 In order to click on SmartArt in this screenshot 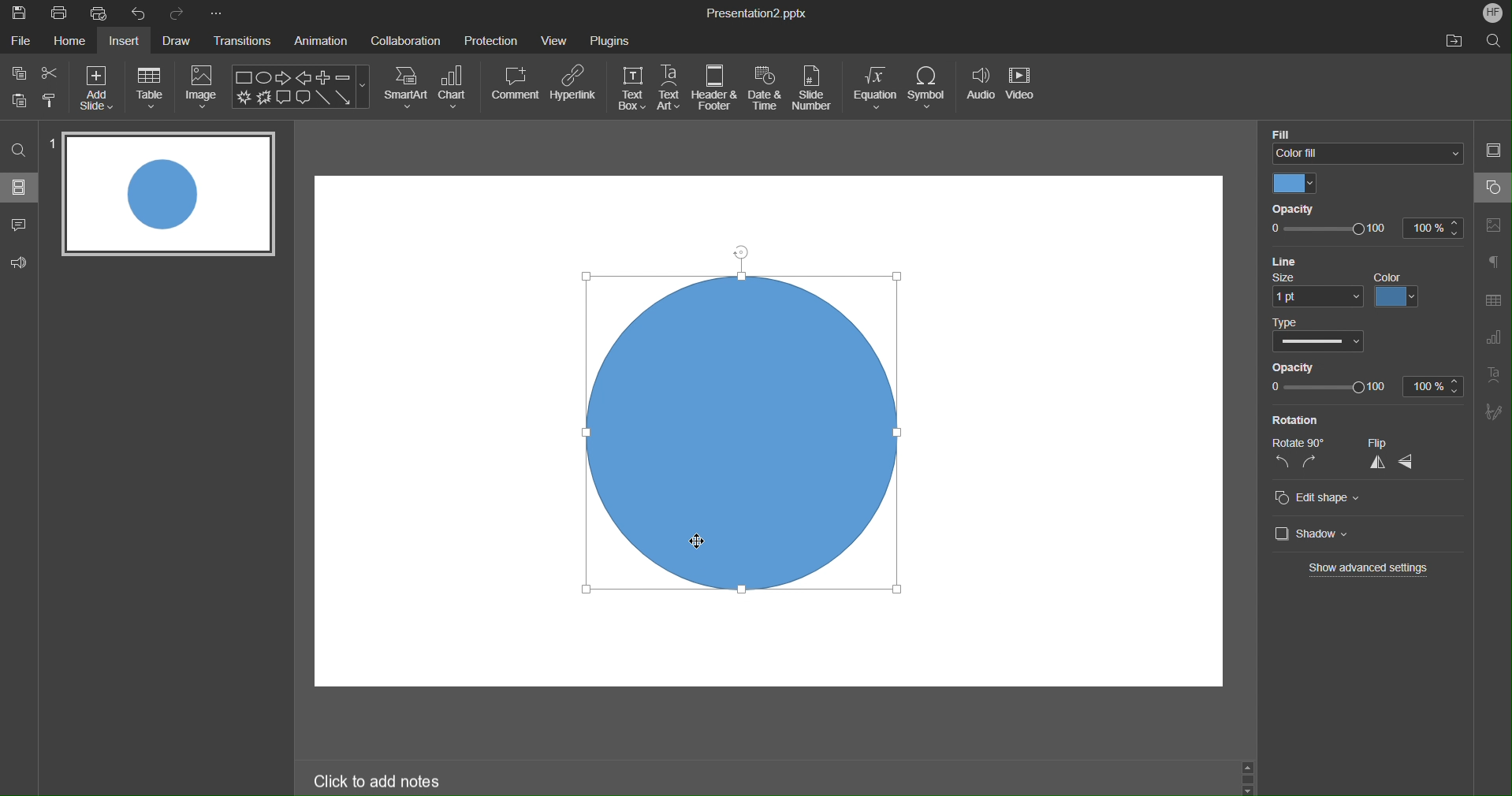, I will do `click(406, 87)`.